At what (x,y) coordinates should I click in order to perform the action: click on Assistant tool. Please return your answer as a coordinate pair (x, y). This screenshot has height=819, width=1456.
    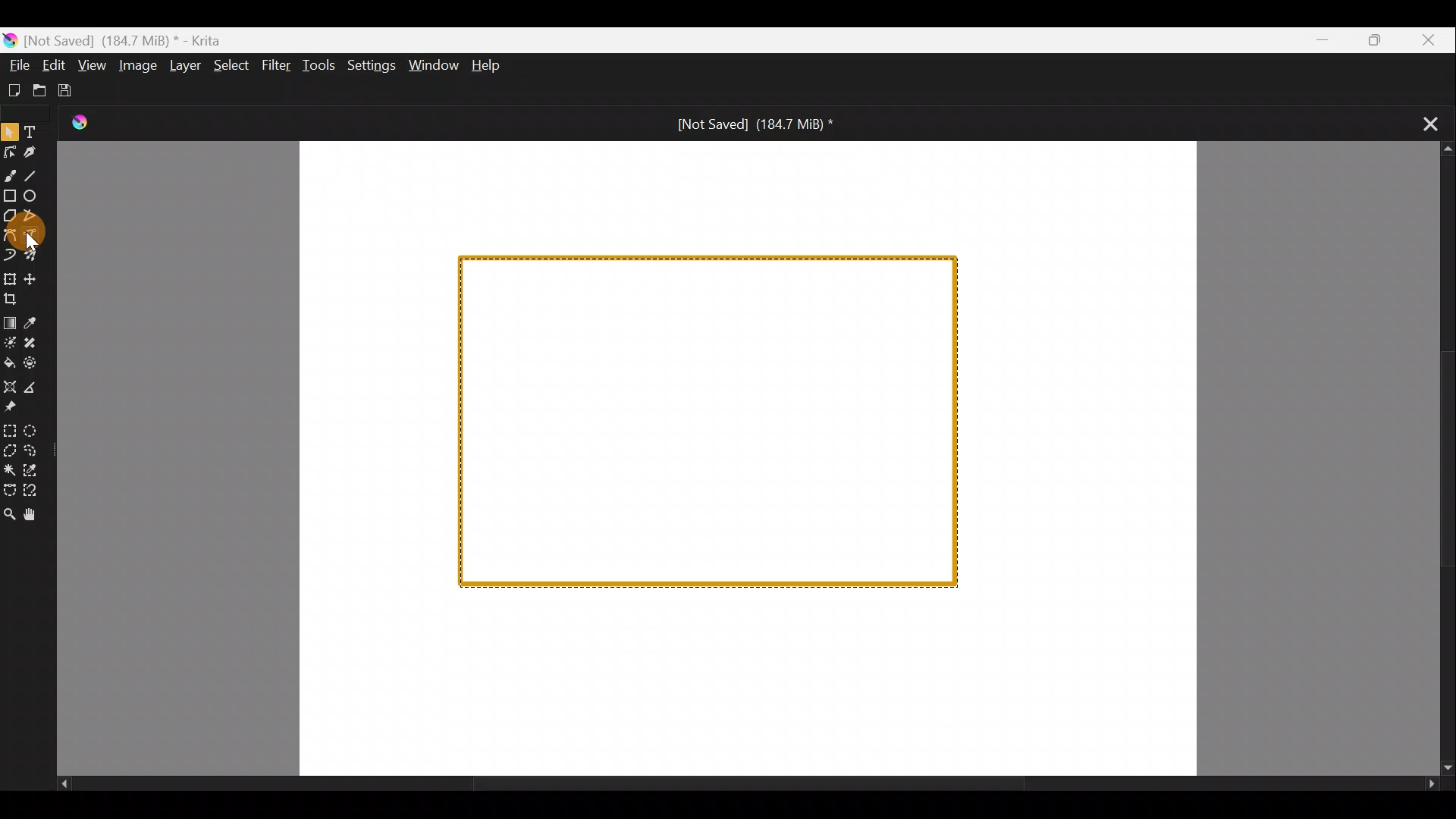
    Looking at the image, I should click on (9, 386).